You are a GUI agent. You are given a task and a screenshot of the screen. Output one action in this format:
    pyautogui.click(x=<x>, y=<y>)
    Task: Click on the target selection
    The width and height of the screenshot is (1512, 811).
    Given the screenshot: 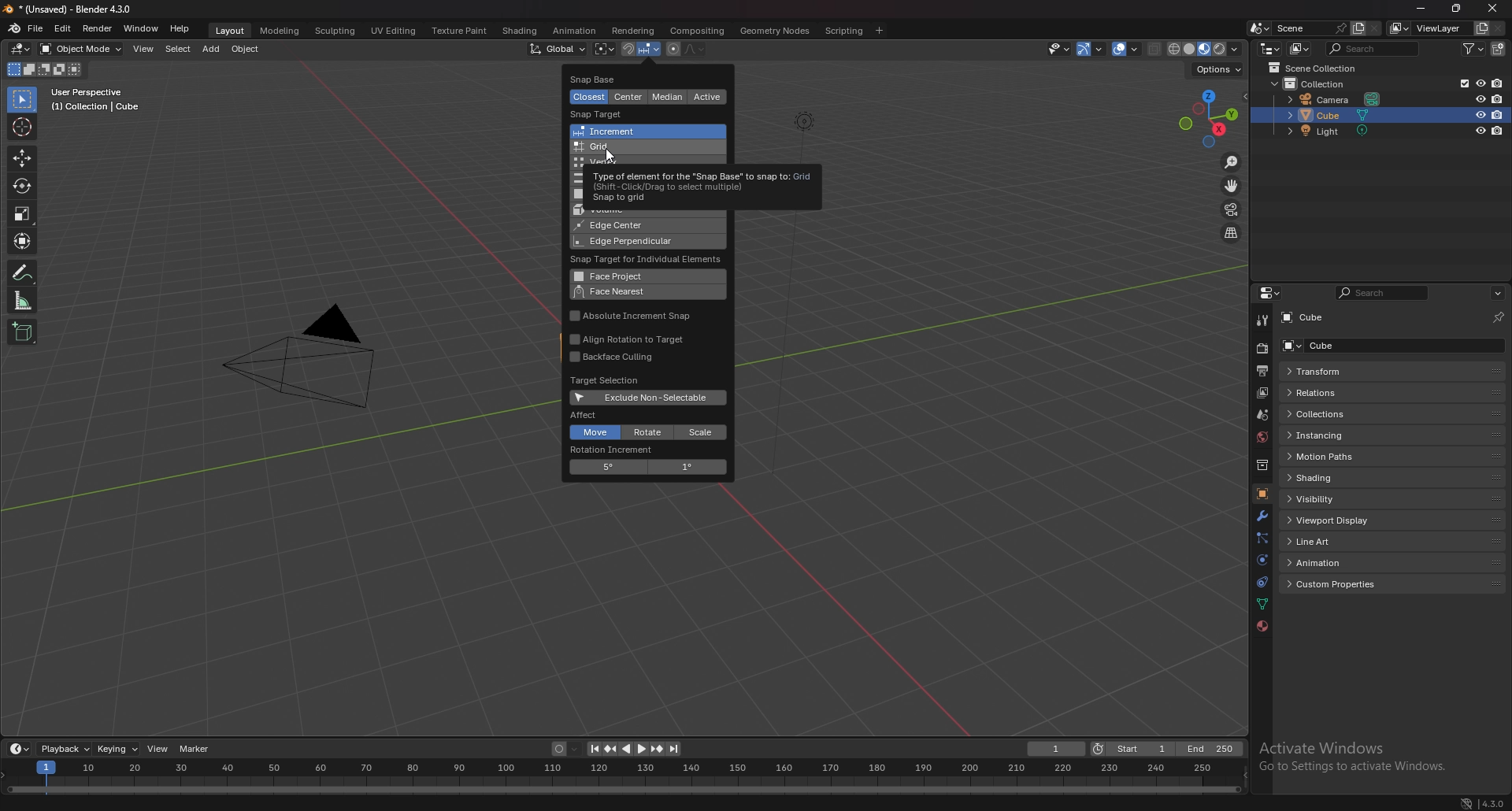 What is the action you would take?
    pyautogui.click(x=606, y=380)
    